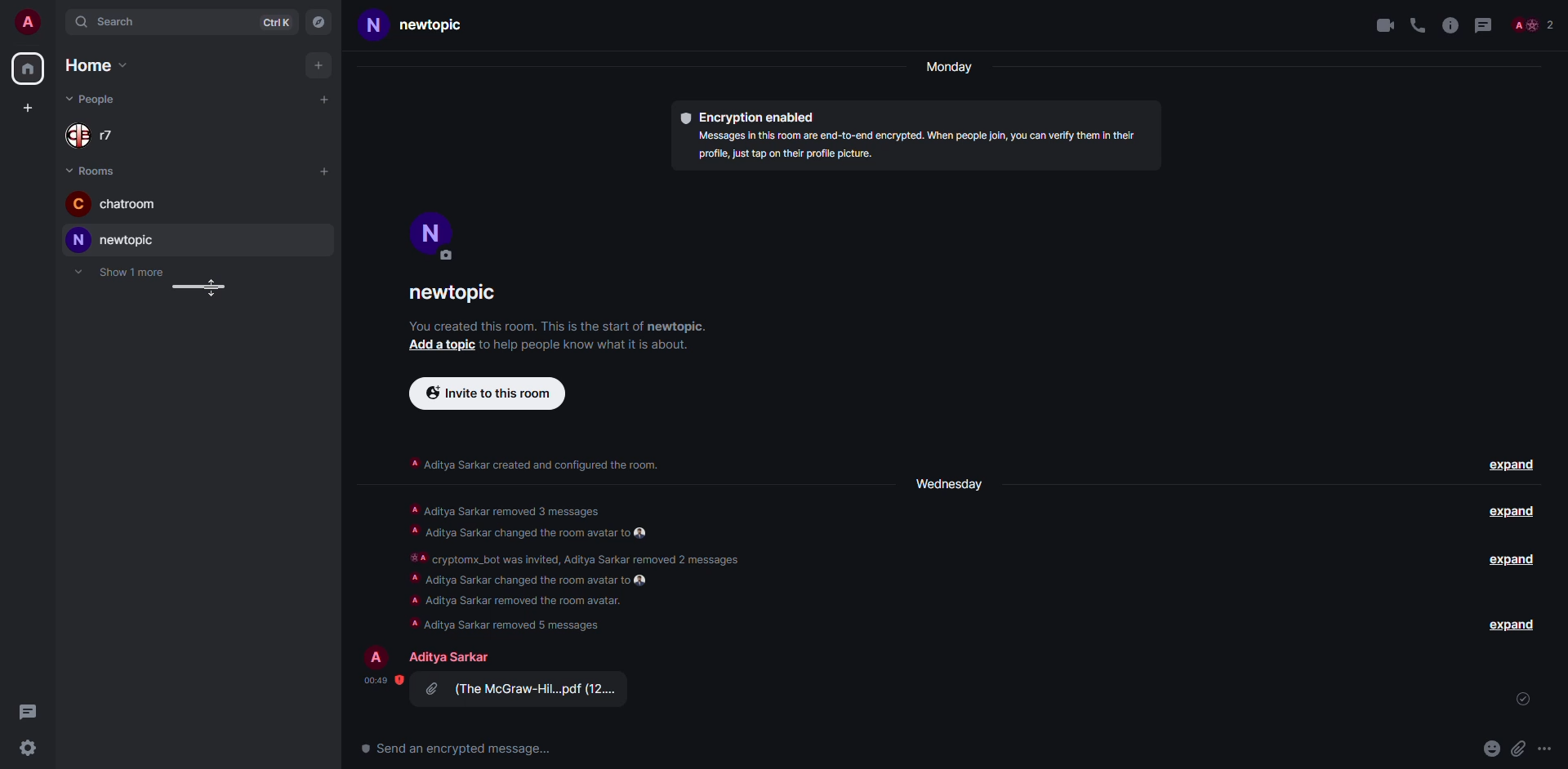 Image resolution: width=1568 pixels, height=769 pixels. I want to click on chatroom, so click(120, 204).